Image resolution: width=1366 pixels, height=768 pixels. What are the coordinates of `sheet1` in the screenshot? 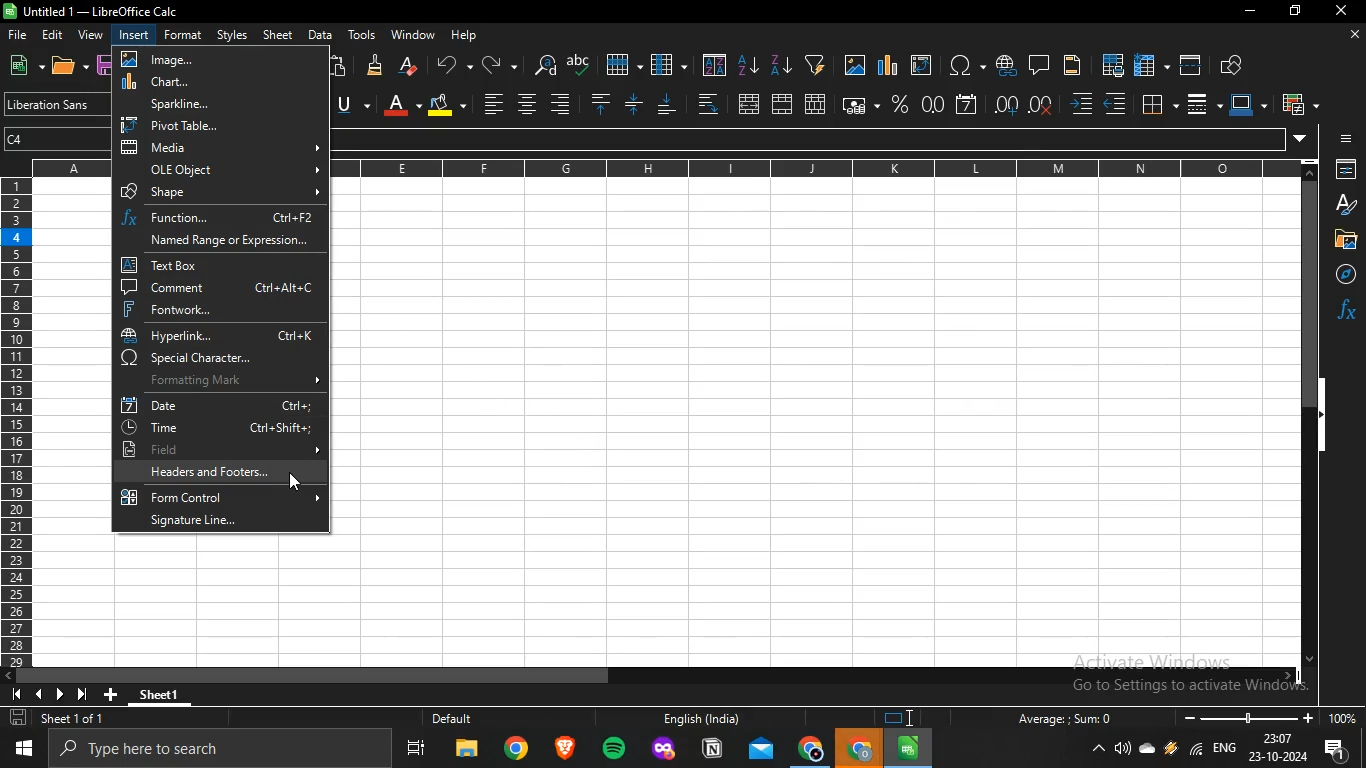 It's located at (171, 692).